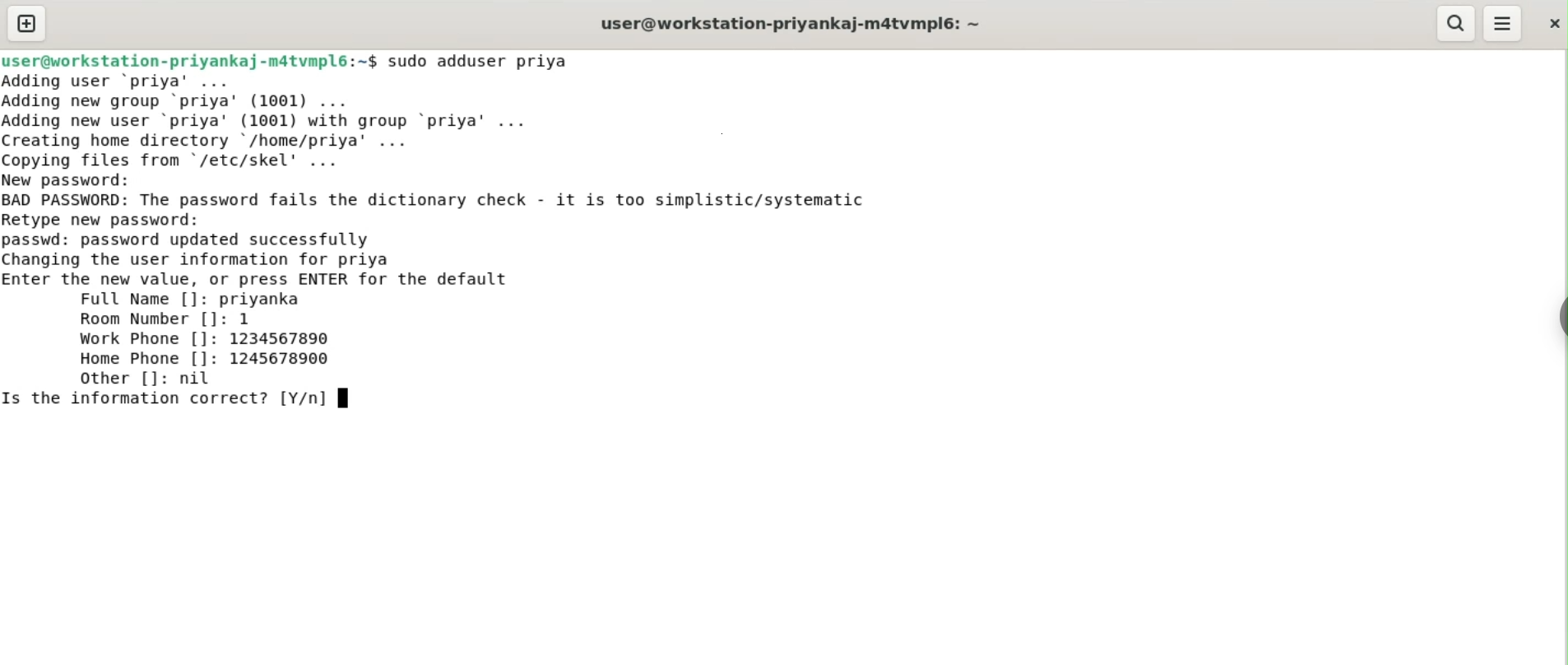  What do you see at coordinates (140, 300) in the screenshot?
I see `full name []:` at bounding box center [140, 300].